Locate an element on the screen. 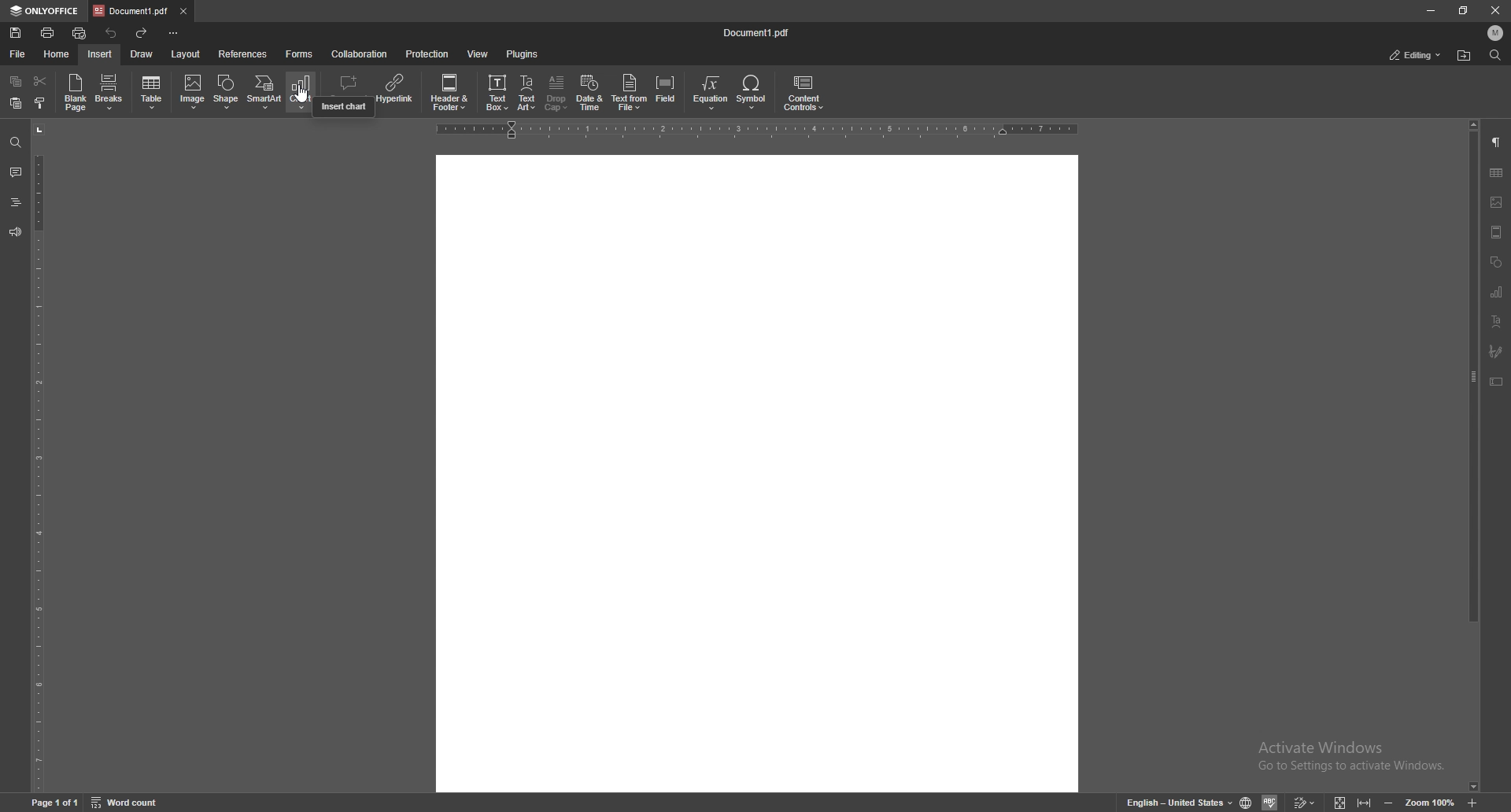  find location is located at coordinates (1465, 55).